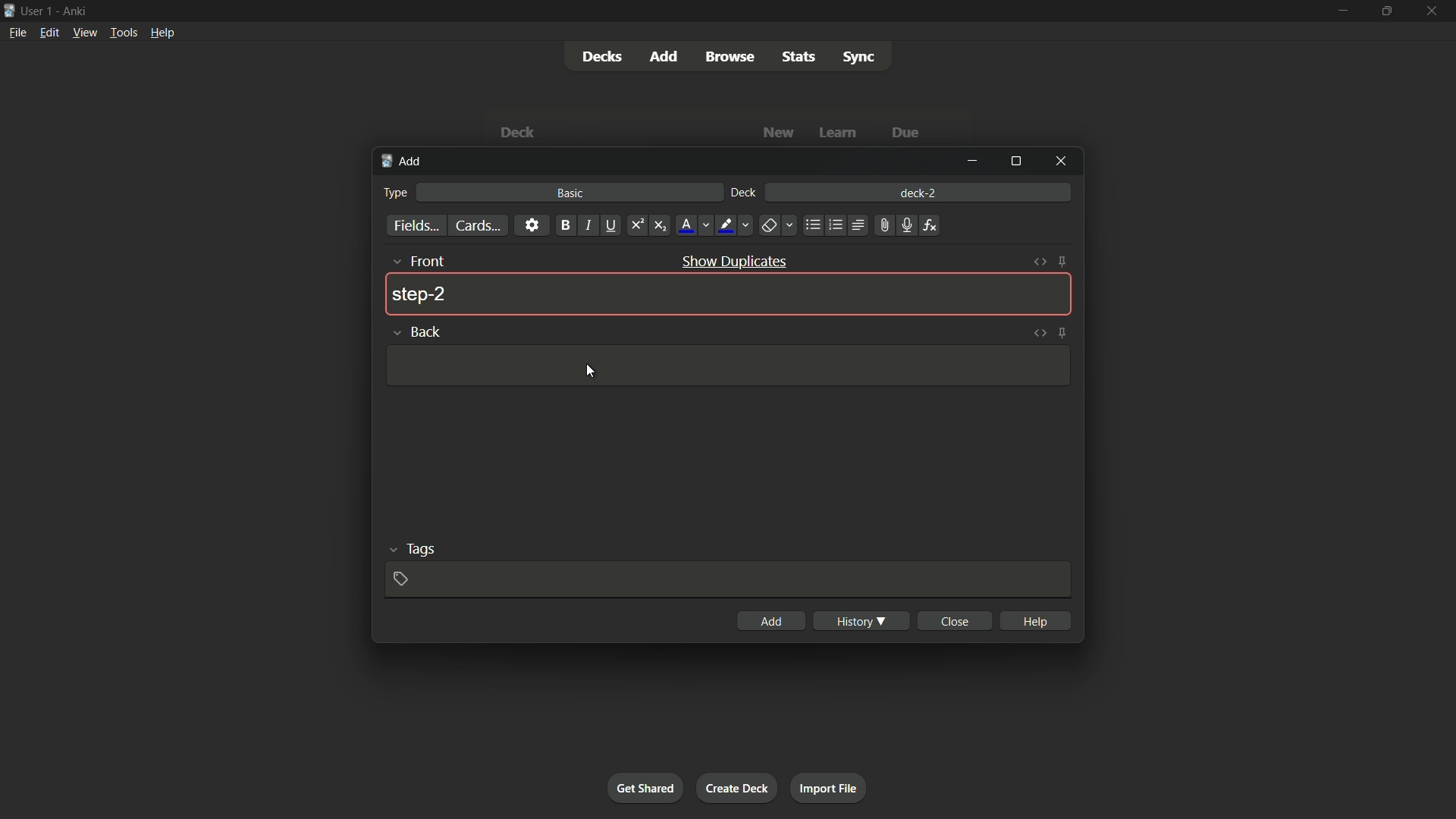 The width and height of the screenshot is (1456, 819). What do you see at coordinates (8, 11) in the screenshot?
I see `app icon` at bounding box center [8, 11].